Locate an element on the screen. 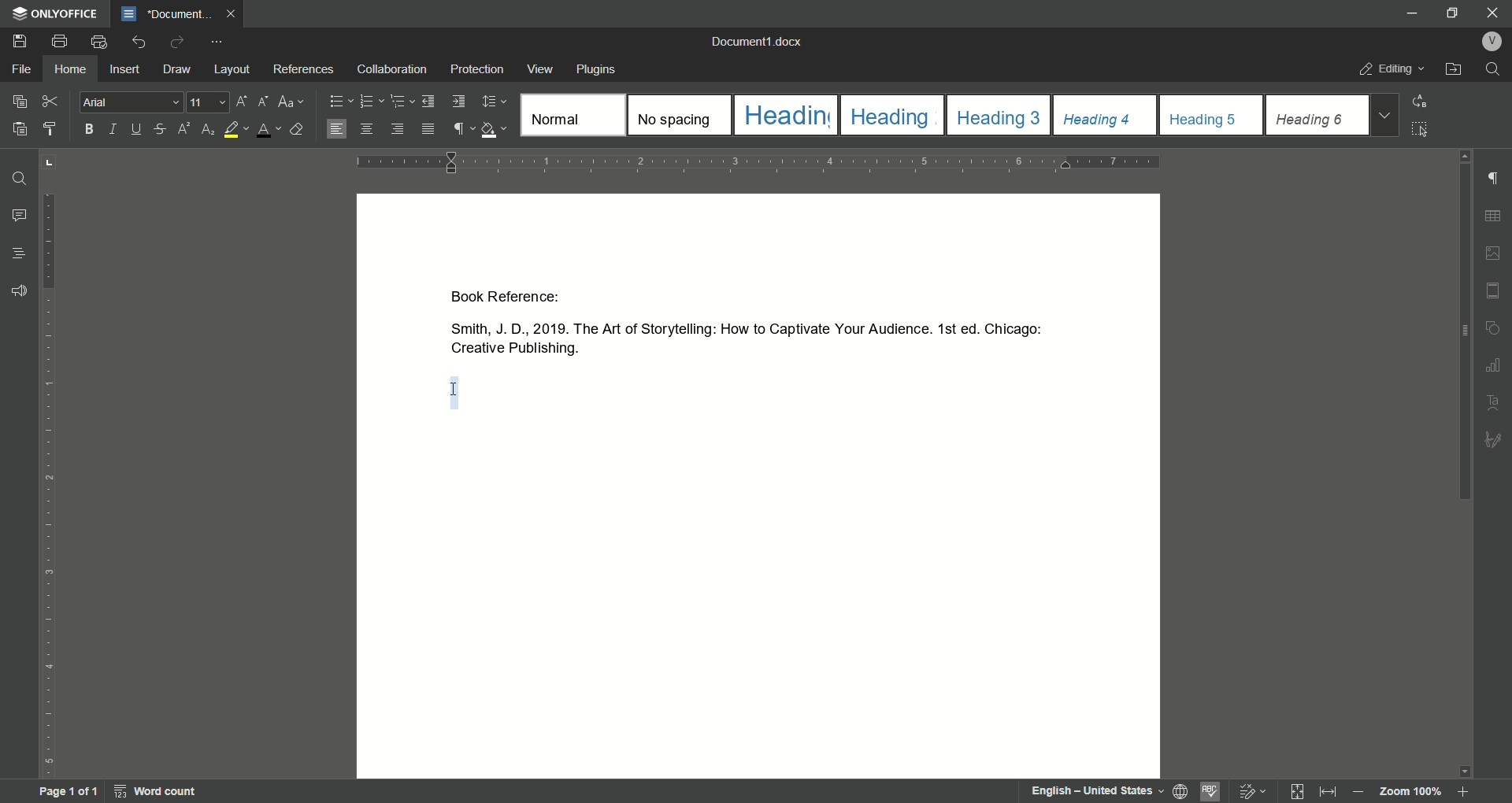  align right is located at coordinates (396, 128).